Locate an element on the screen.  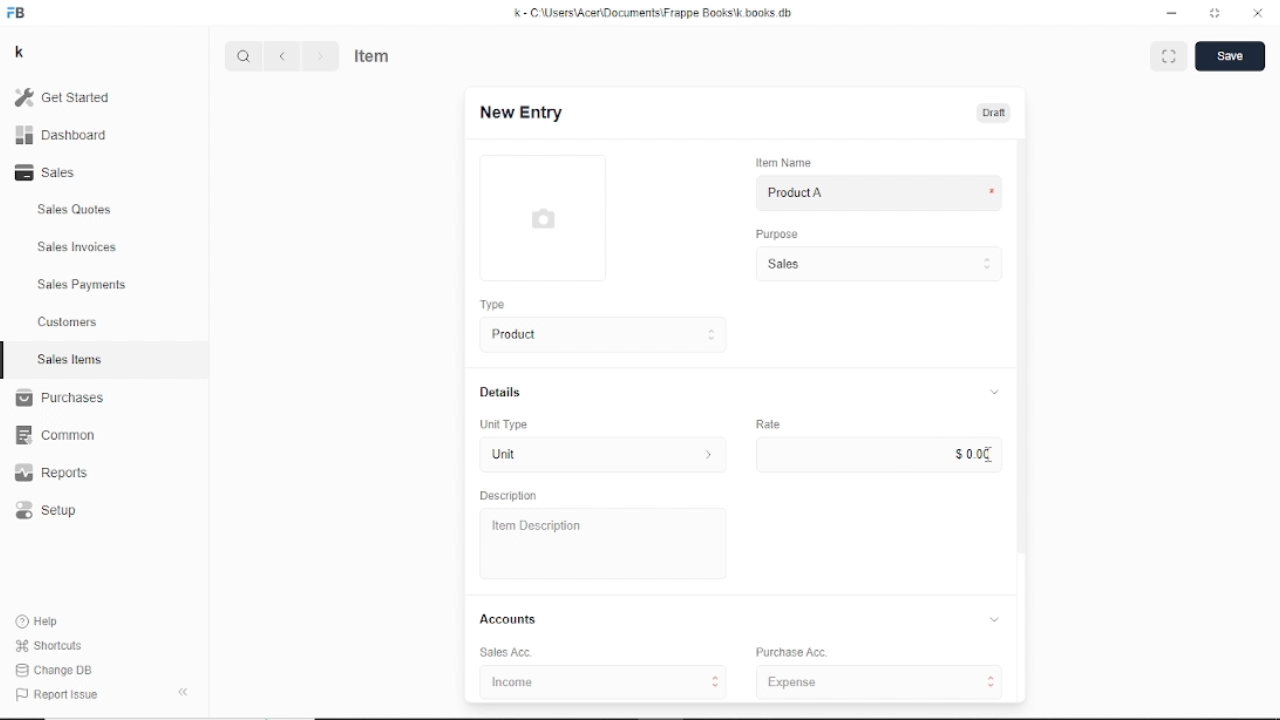
Toggle between form and full width is located at coordinates (1169, 56).